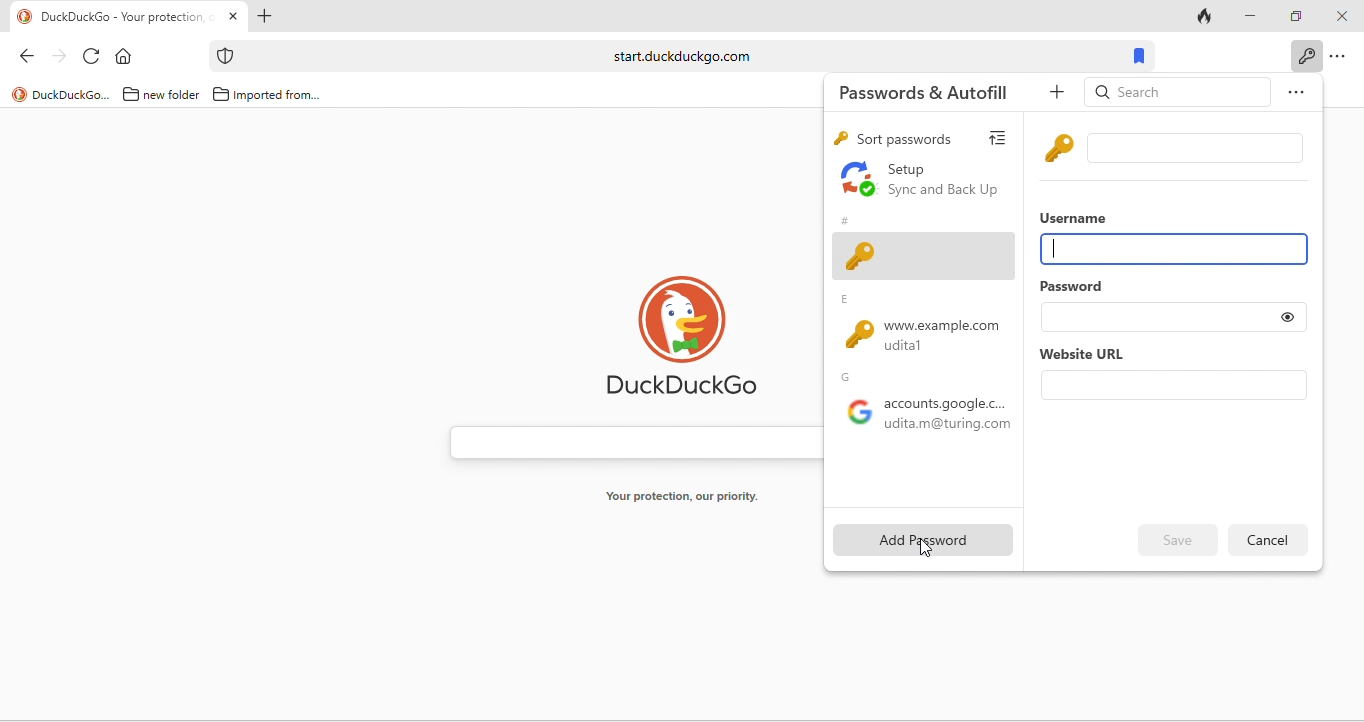  I want to click on logo, so click(19, 94).